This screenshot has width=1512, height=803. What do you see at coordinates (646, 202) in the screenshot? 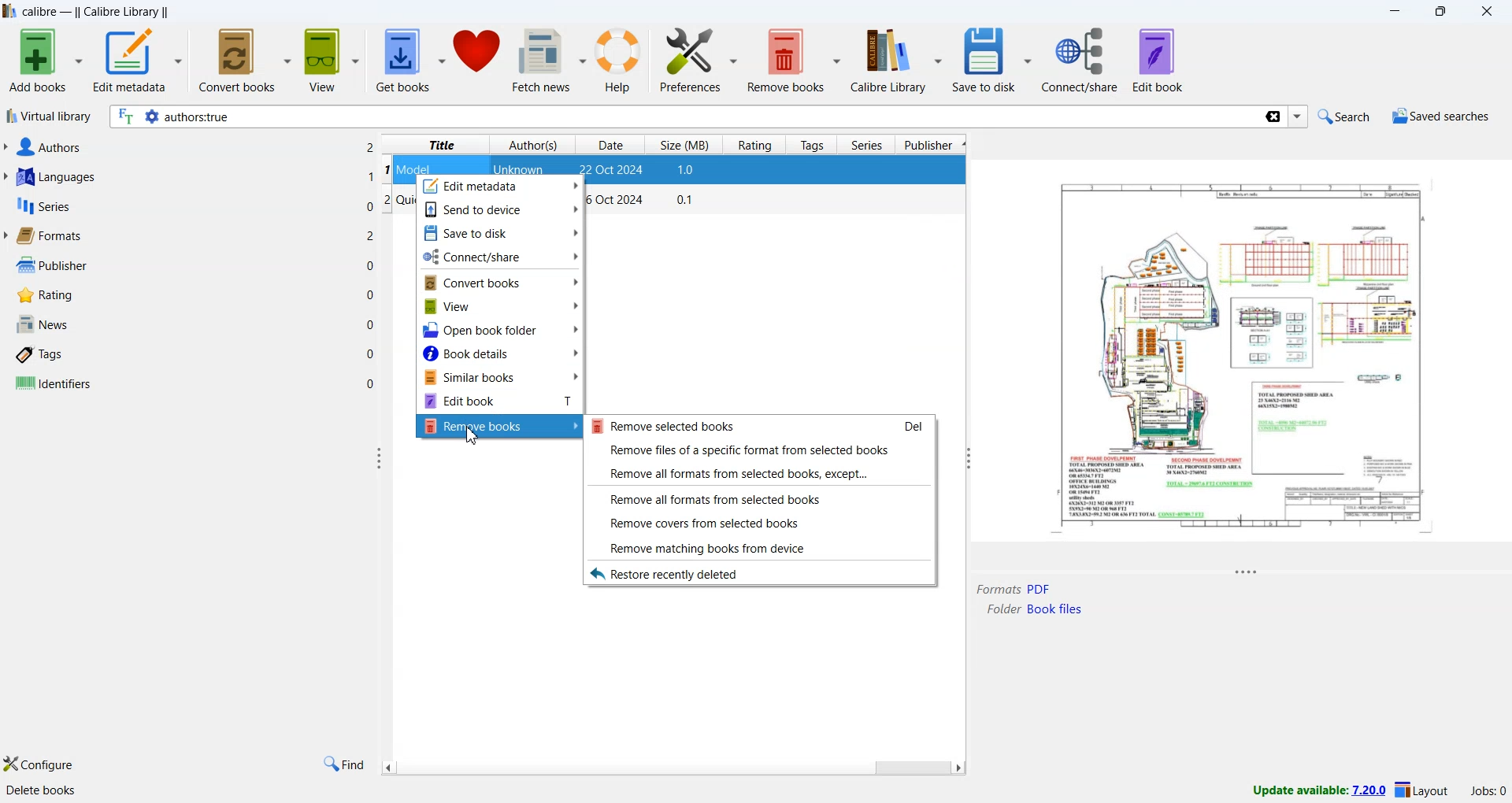
I see `book-2 details` at bounding box center [646, 202].